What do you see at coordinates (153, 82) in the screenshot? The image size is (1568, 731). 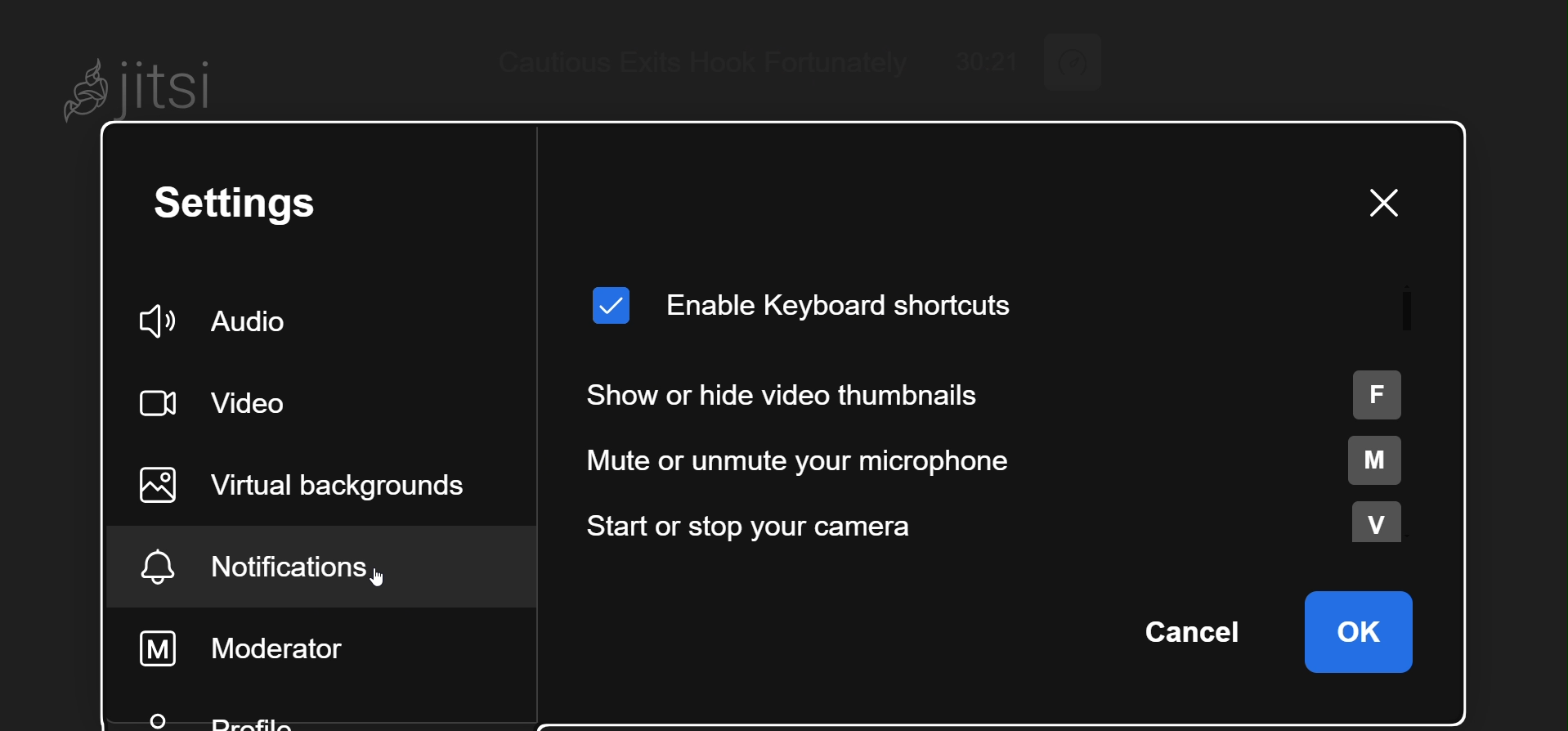 I see `Jitsi` at bounding box center [153, 82].